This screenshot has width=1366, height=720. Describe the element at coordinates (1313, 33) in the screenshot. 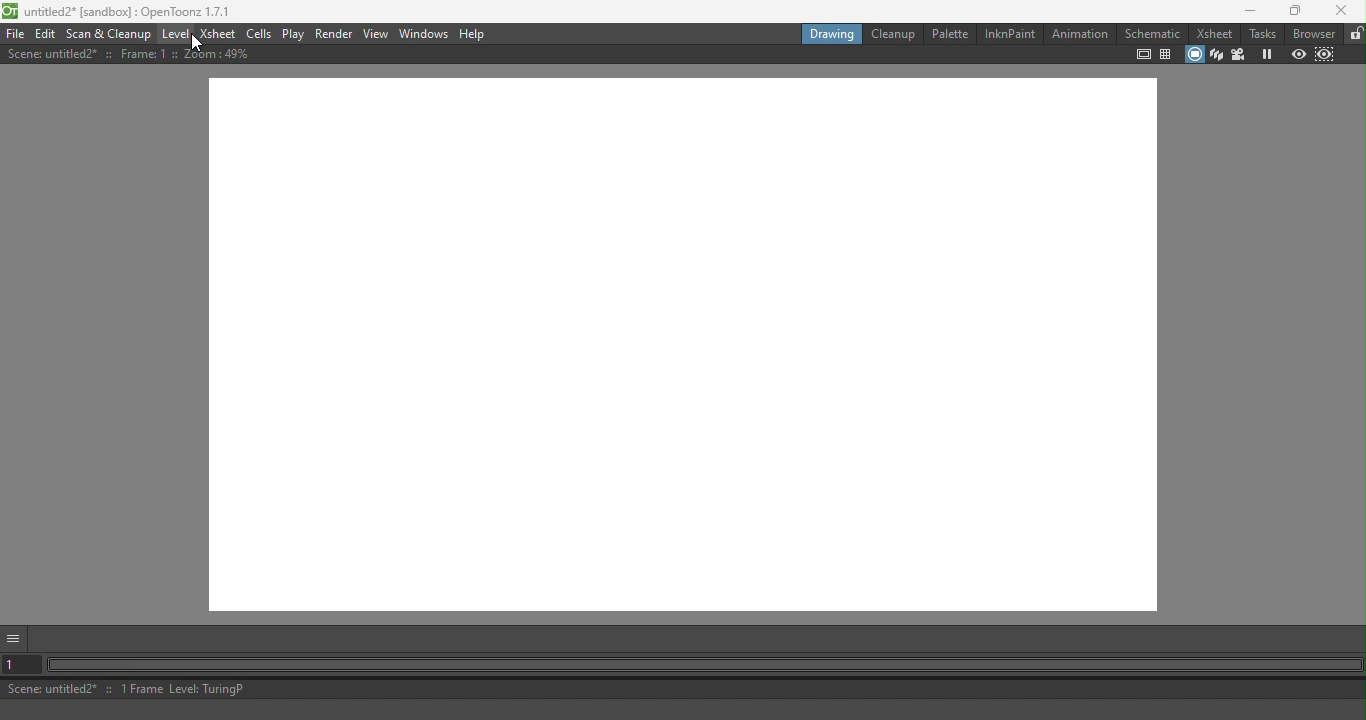

I see `Browser` at that location.